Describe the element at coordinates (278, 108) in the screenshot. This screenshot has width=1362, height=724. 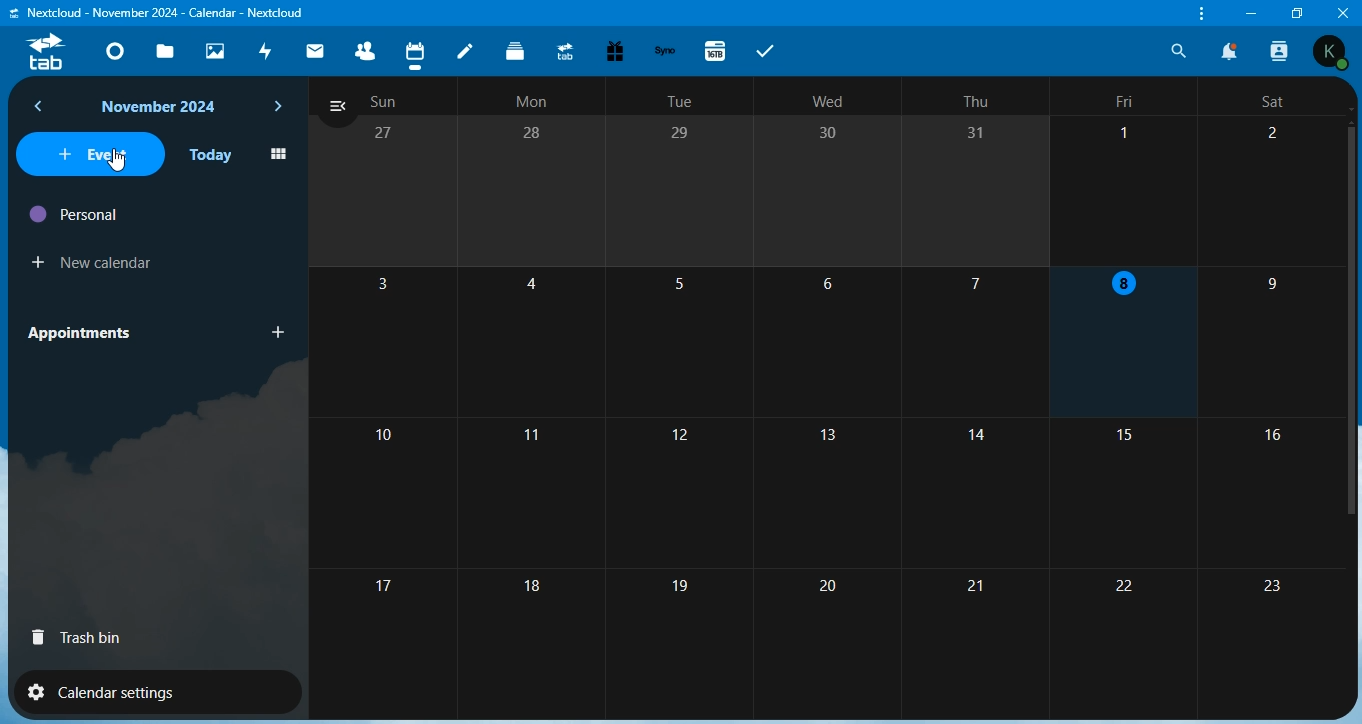
I see `next` at that location.